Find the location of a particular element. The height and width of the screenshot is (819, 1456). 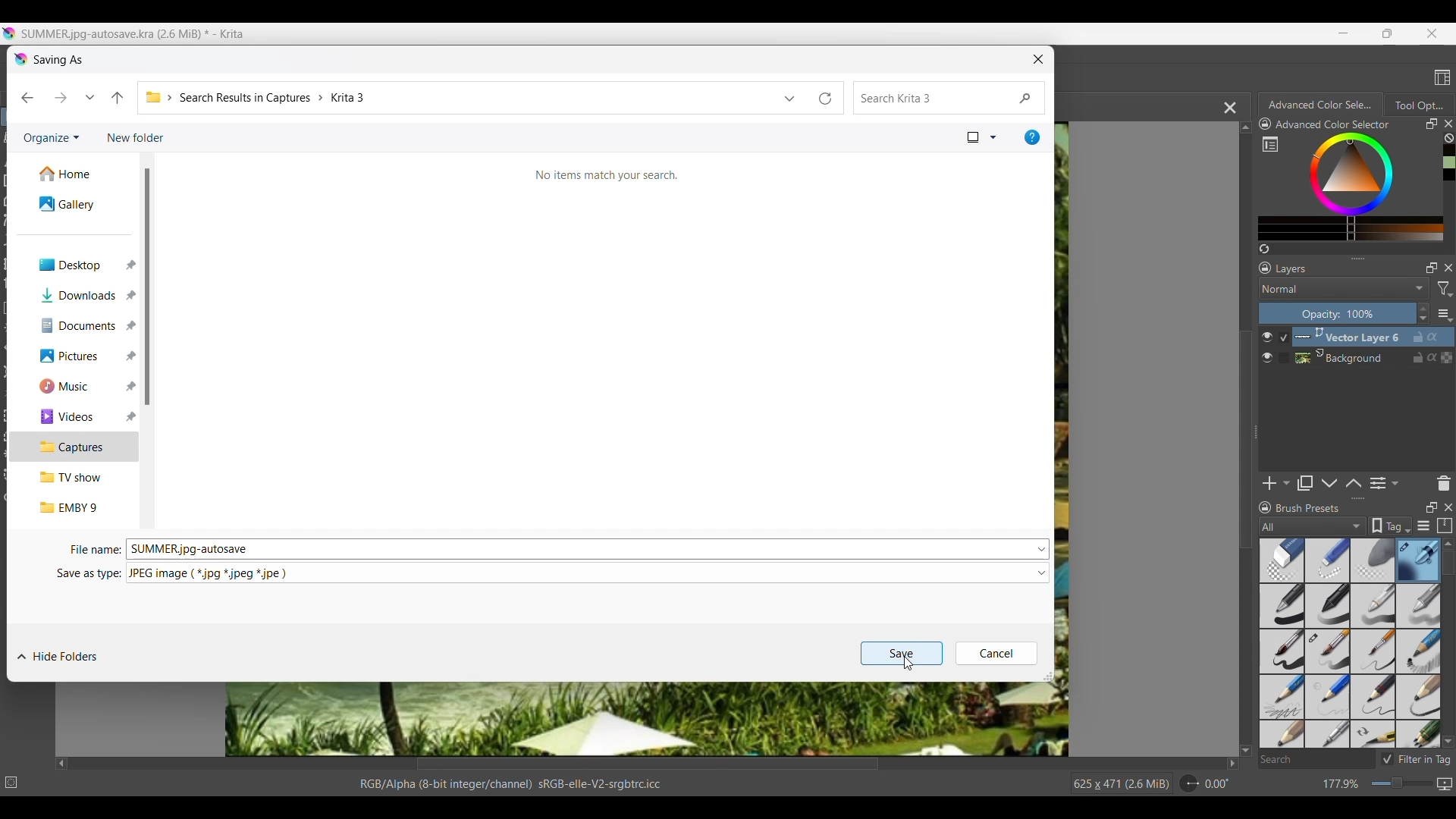

Close panel is located at coordinates (1448, 507).